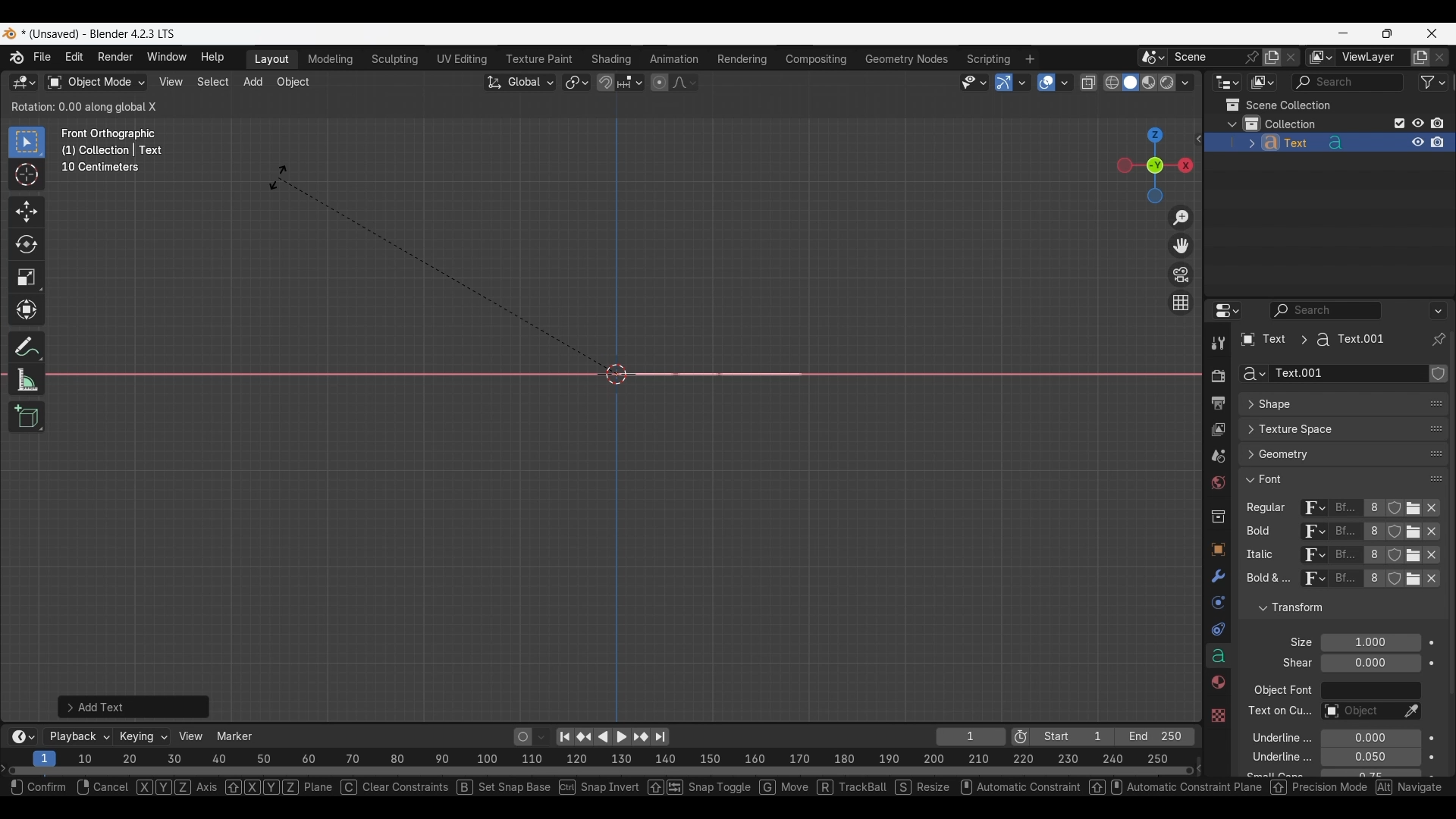 The image size is (1456, 819). What do you see at coordinates (1372, 739) in the screenshot?
I see `Underline position` at bounding box center [1372, 739].